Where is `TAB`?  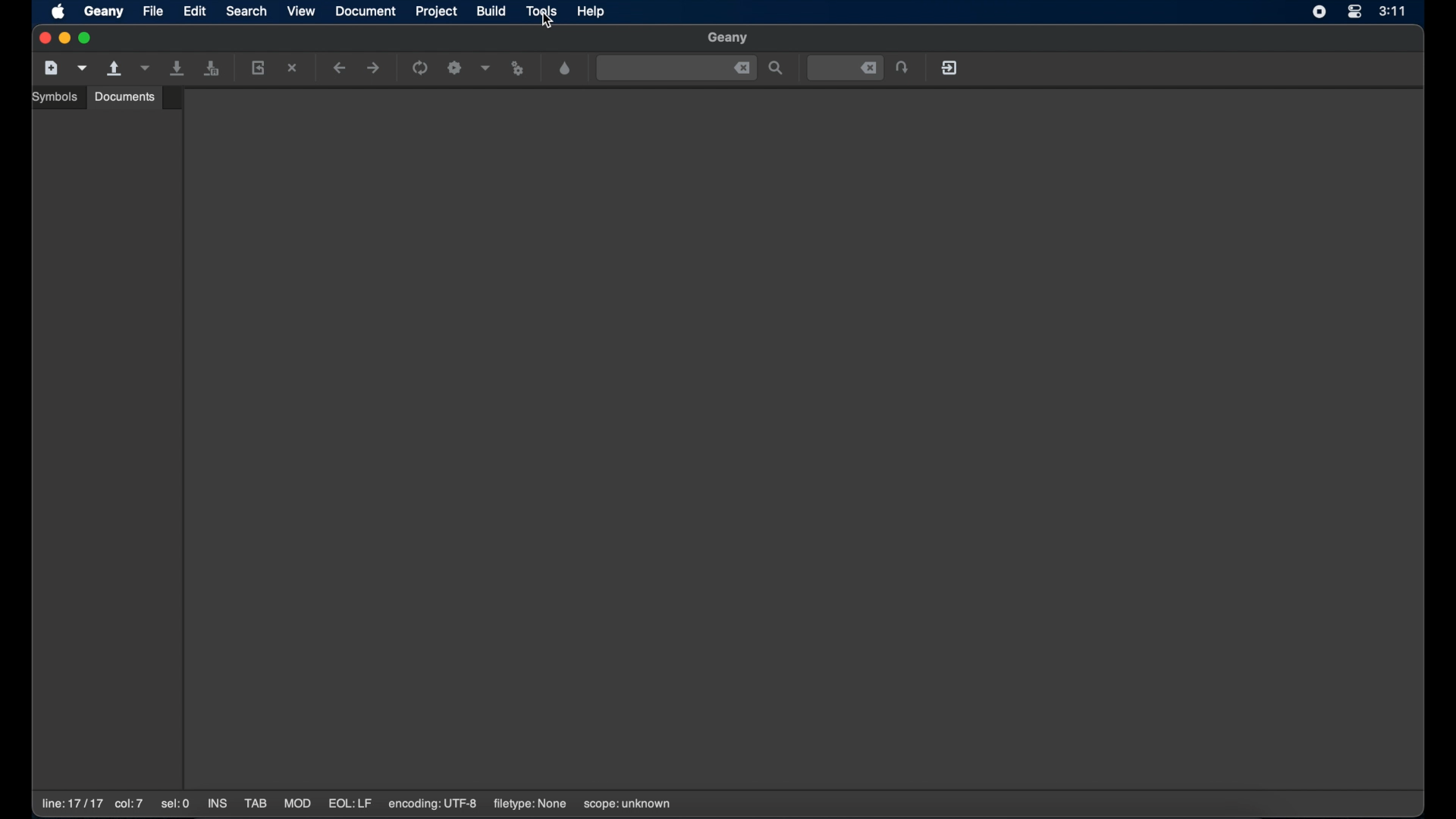
TAB is located at coordinates (256, 804).